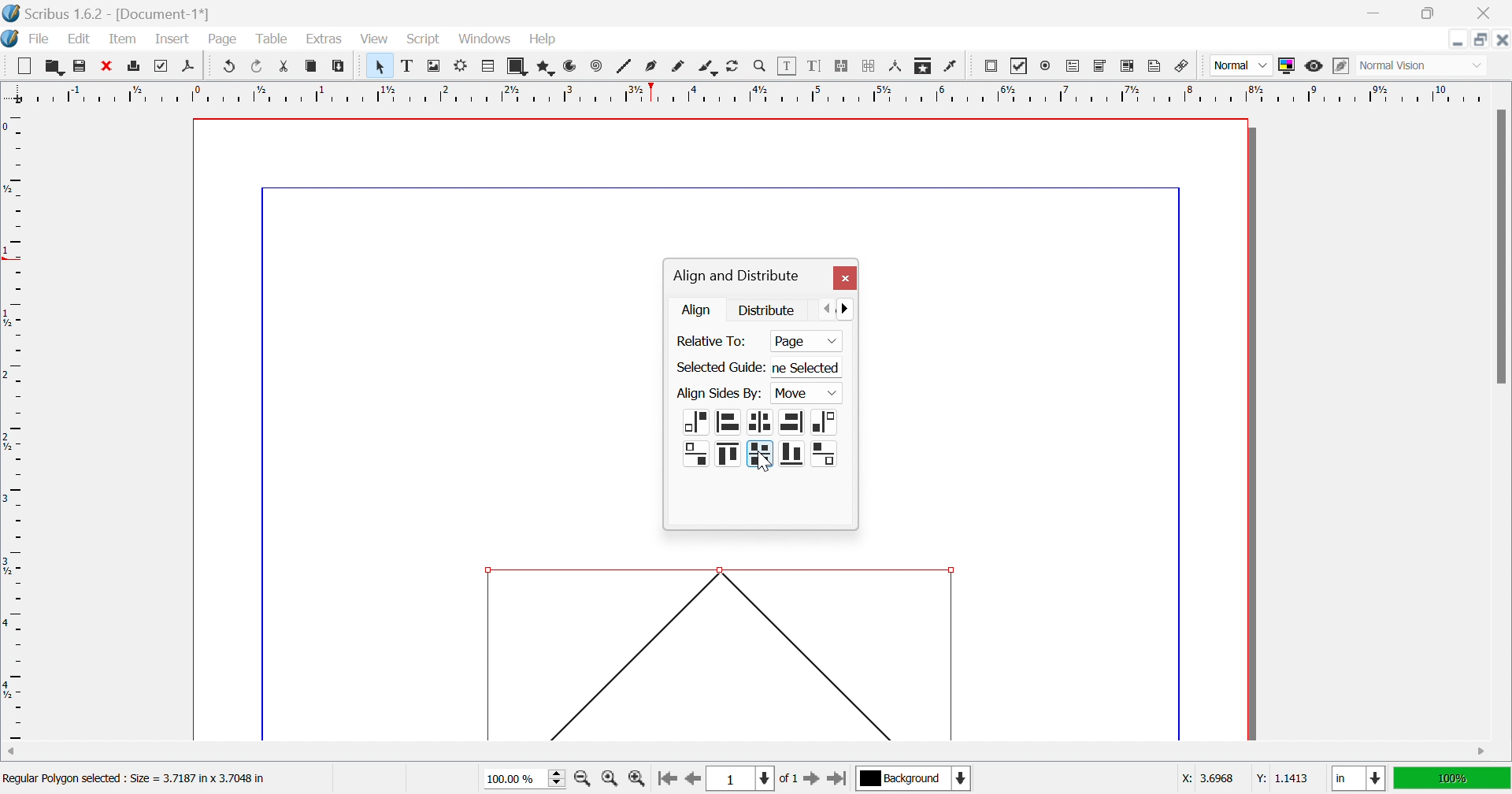 Image resolution: width=1512 pixels, height=794 pixels. I want to click on x: 3.6968, so click(1210, 778).